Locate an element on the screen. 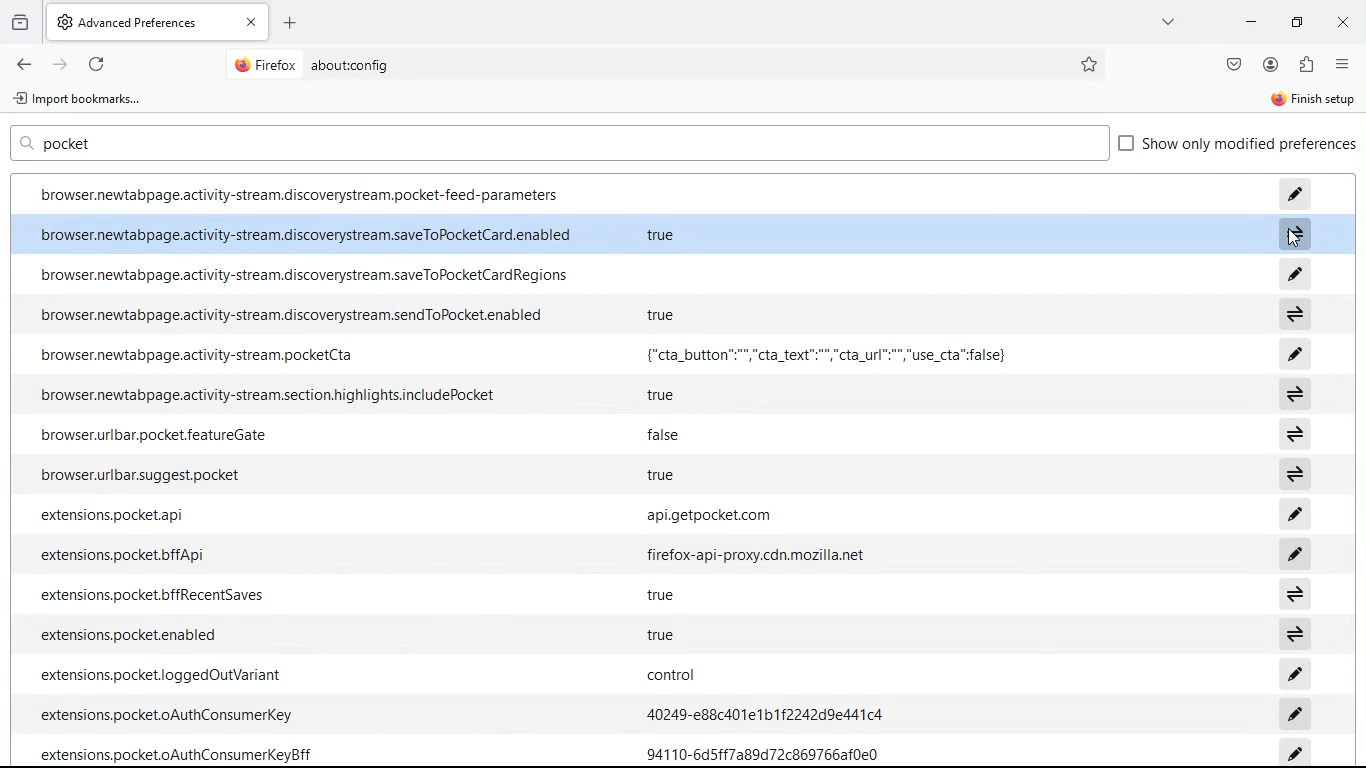  browser.urlbar.pocket featureGate is located at coordinates (152, 433).